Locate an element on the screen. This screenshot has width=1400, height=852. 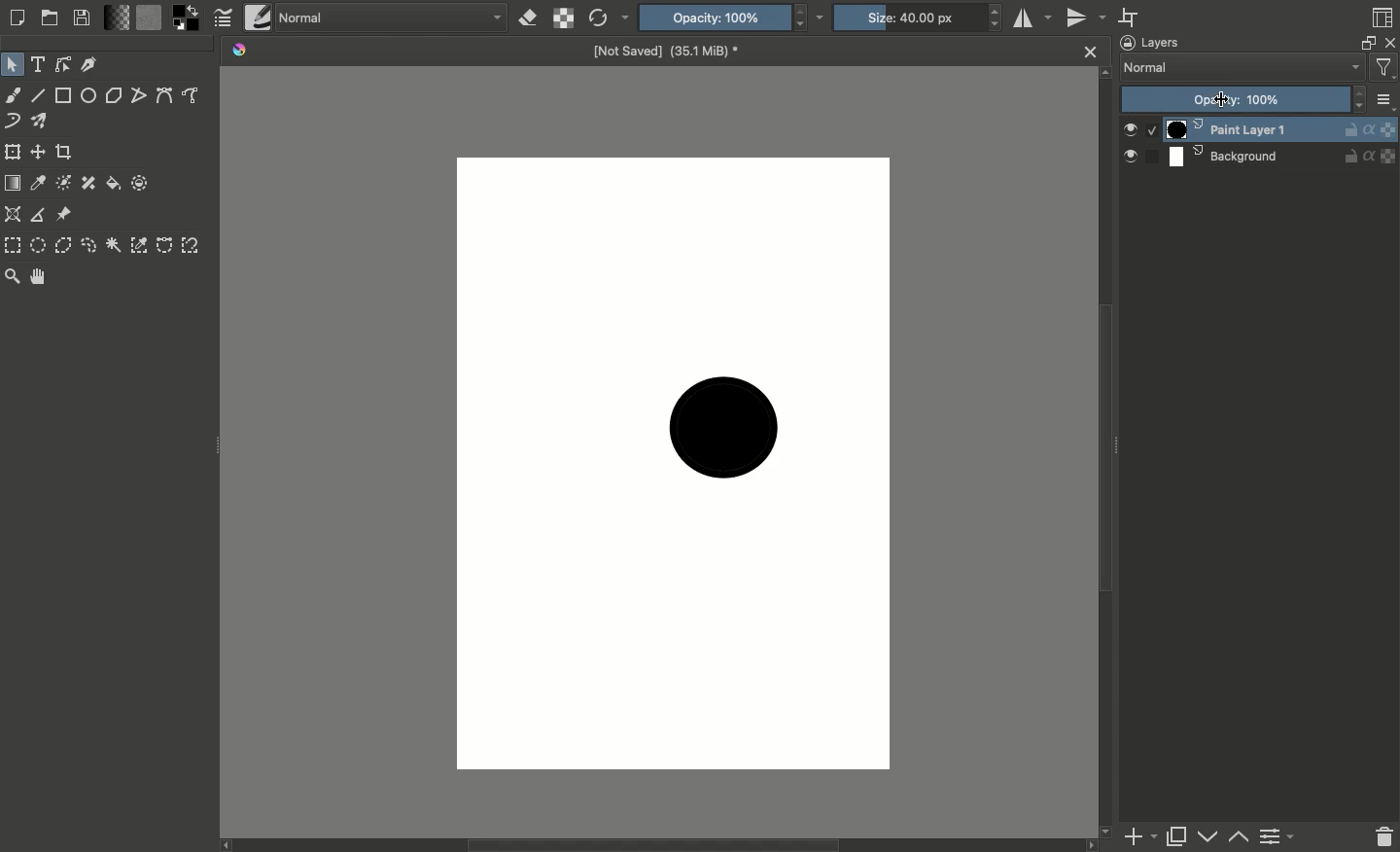
Paint layer is located at coordinates (1249, 128).